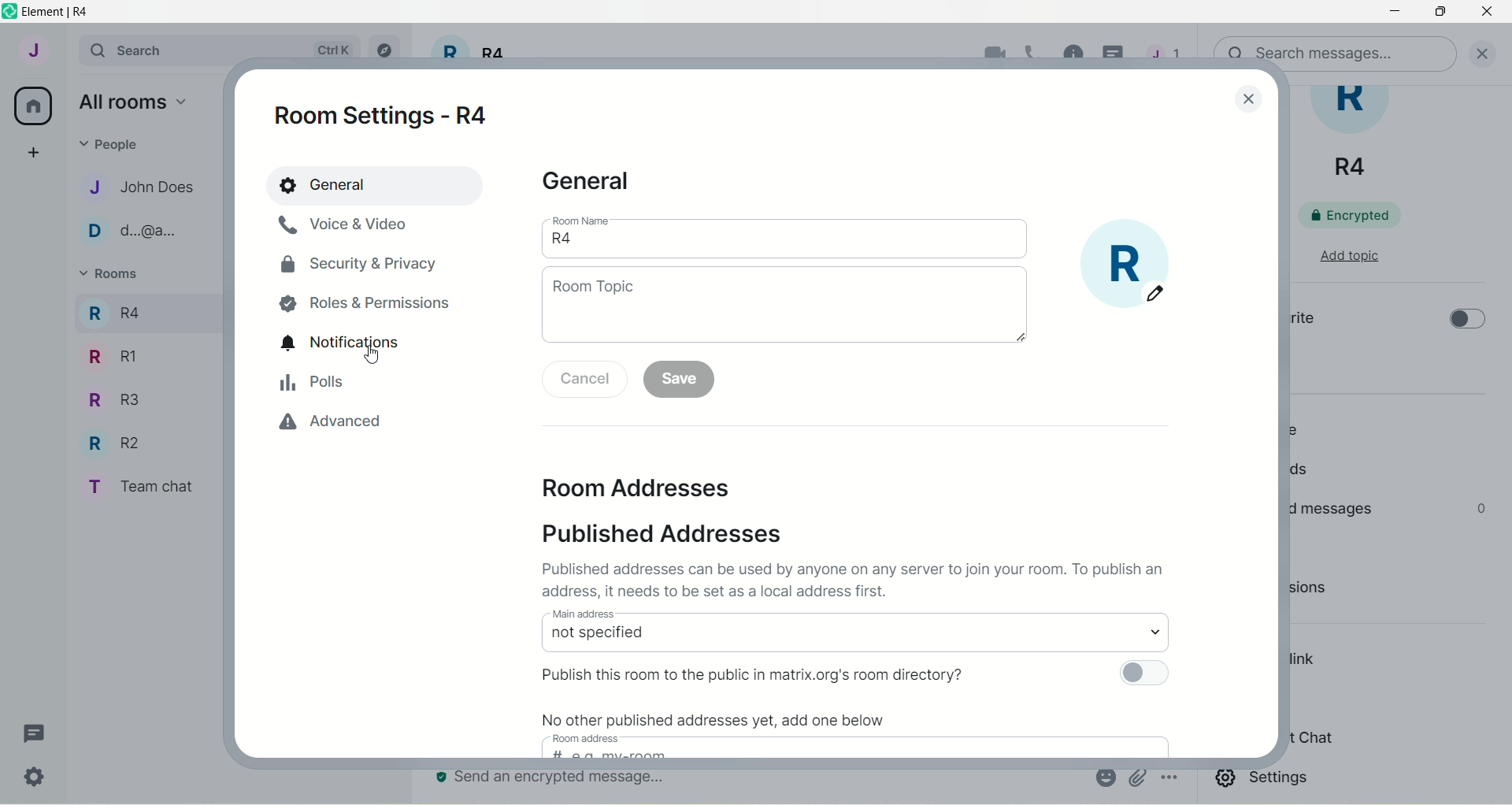  Describe the element at coordinates (854, 631) in the screenshot. I see `main address` at that location.